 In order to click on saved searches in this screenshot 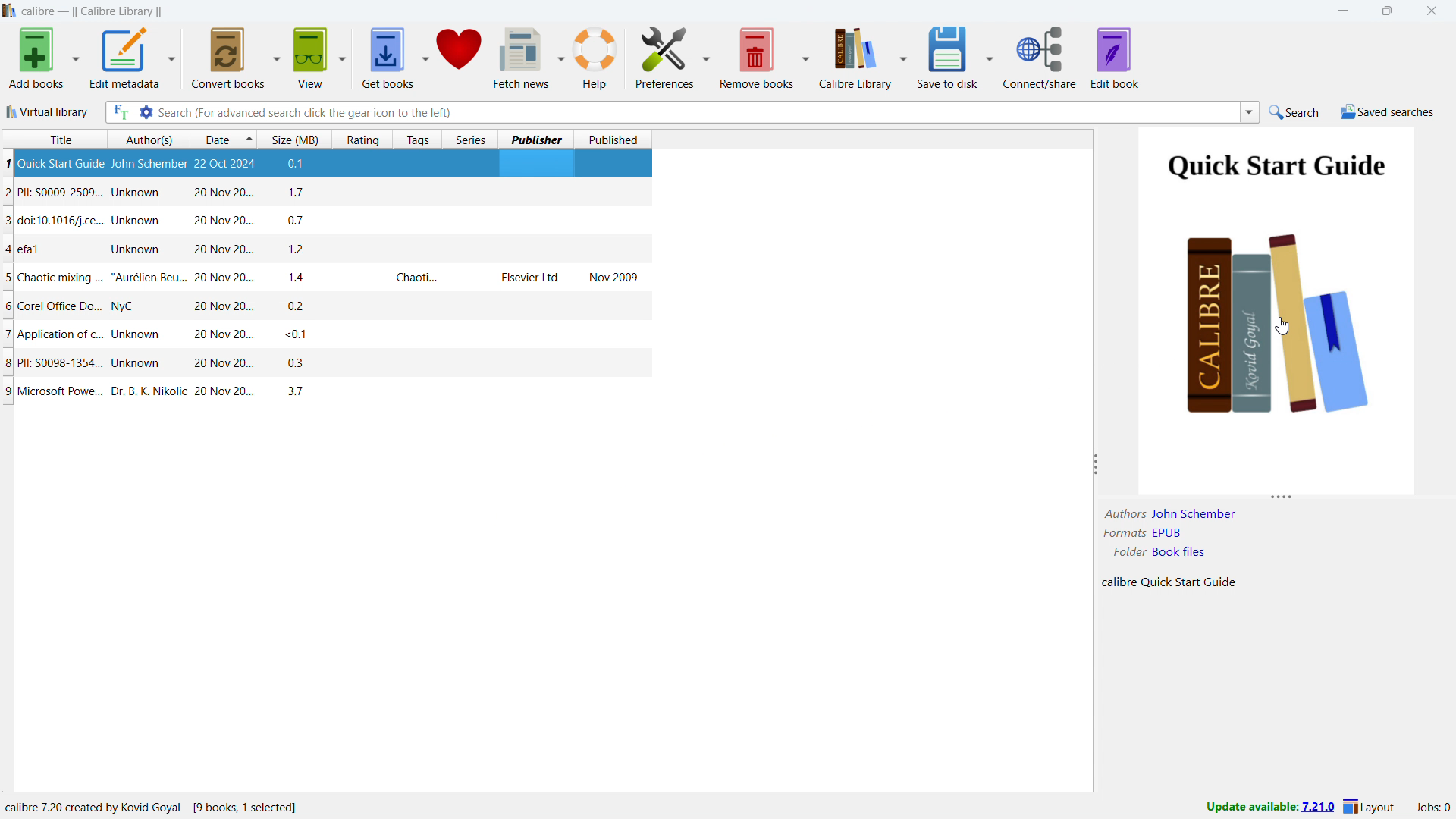, I will do `click(1388, 112)`.